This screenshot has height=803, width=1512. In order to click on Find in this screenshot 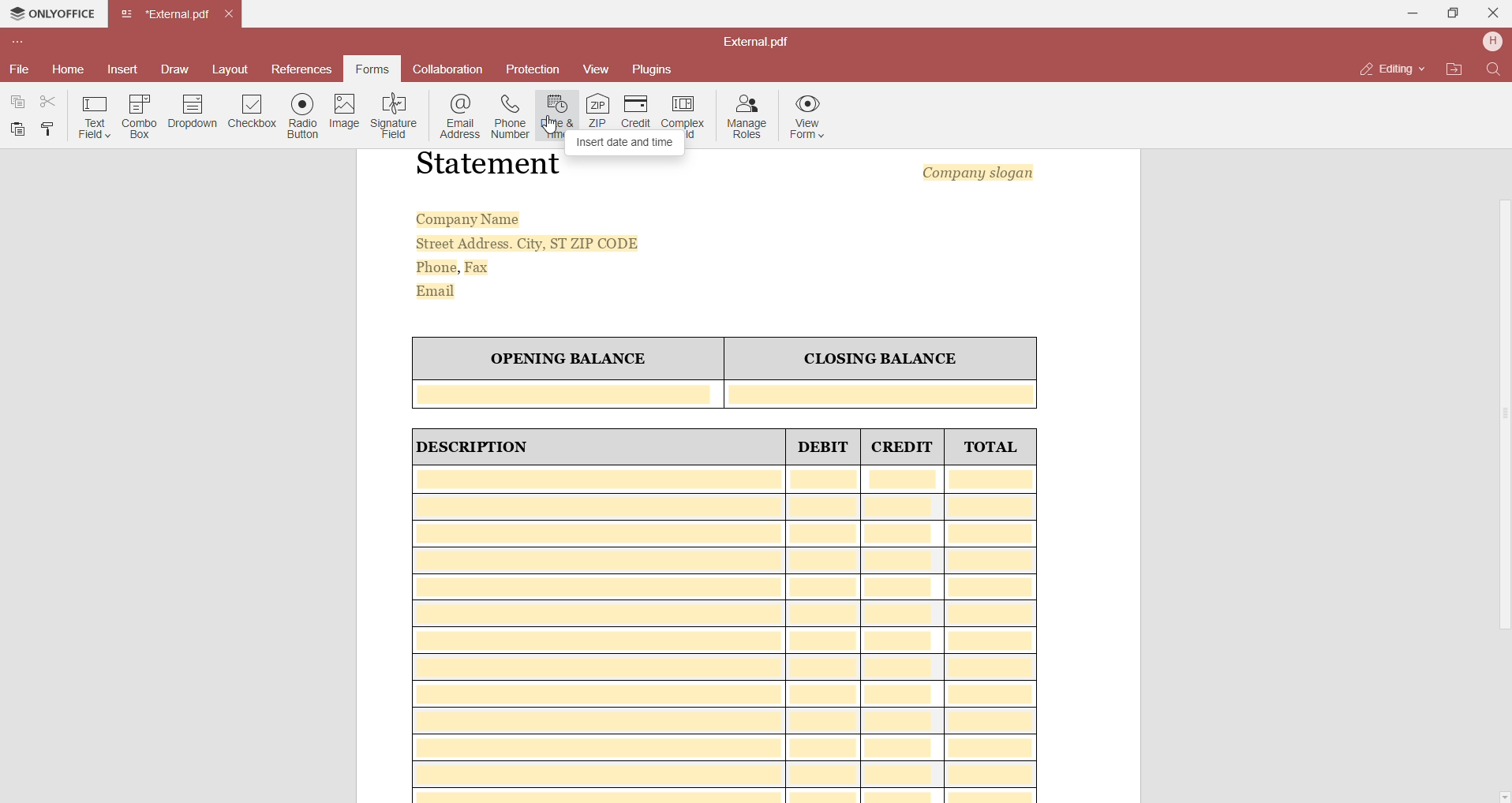, I will do `click(1495, 70)`.